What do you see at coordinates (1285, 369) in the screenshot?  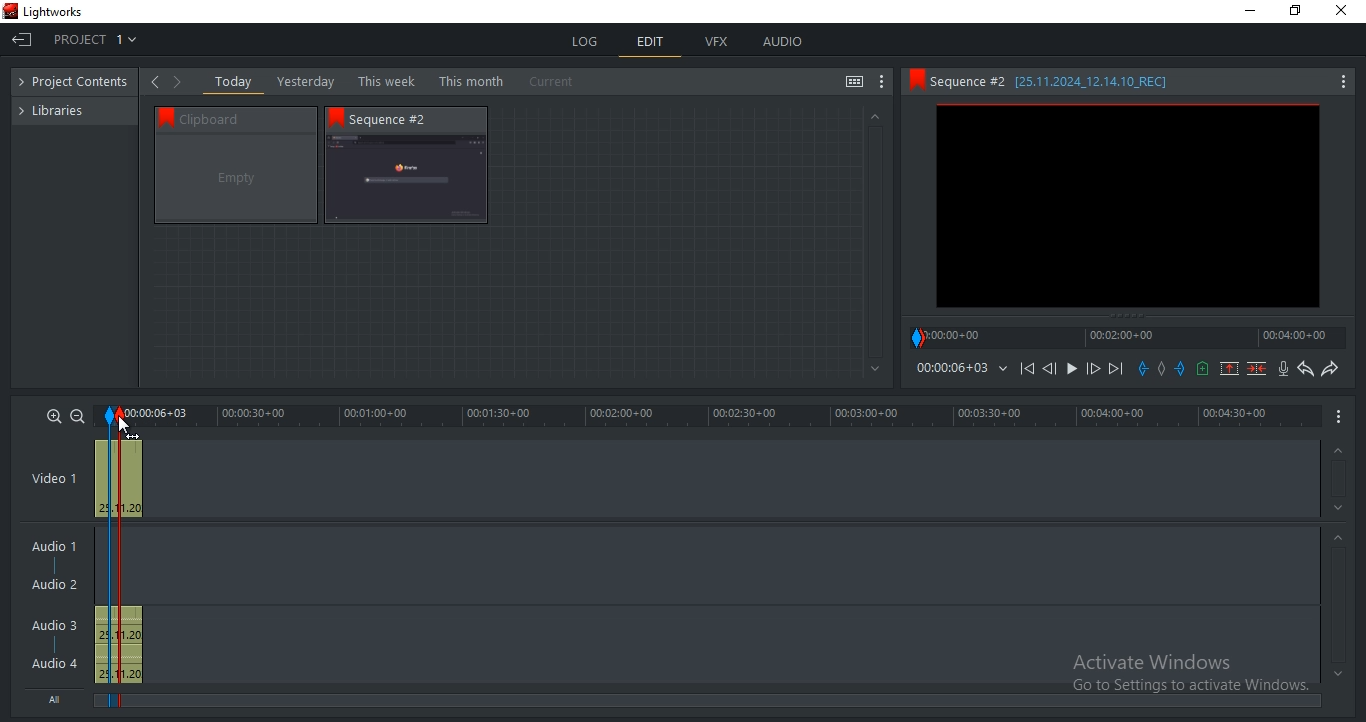 I see `record audio` at bounding box center [1285, 369].